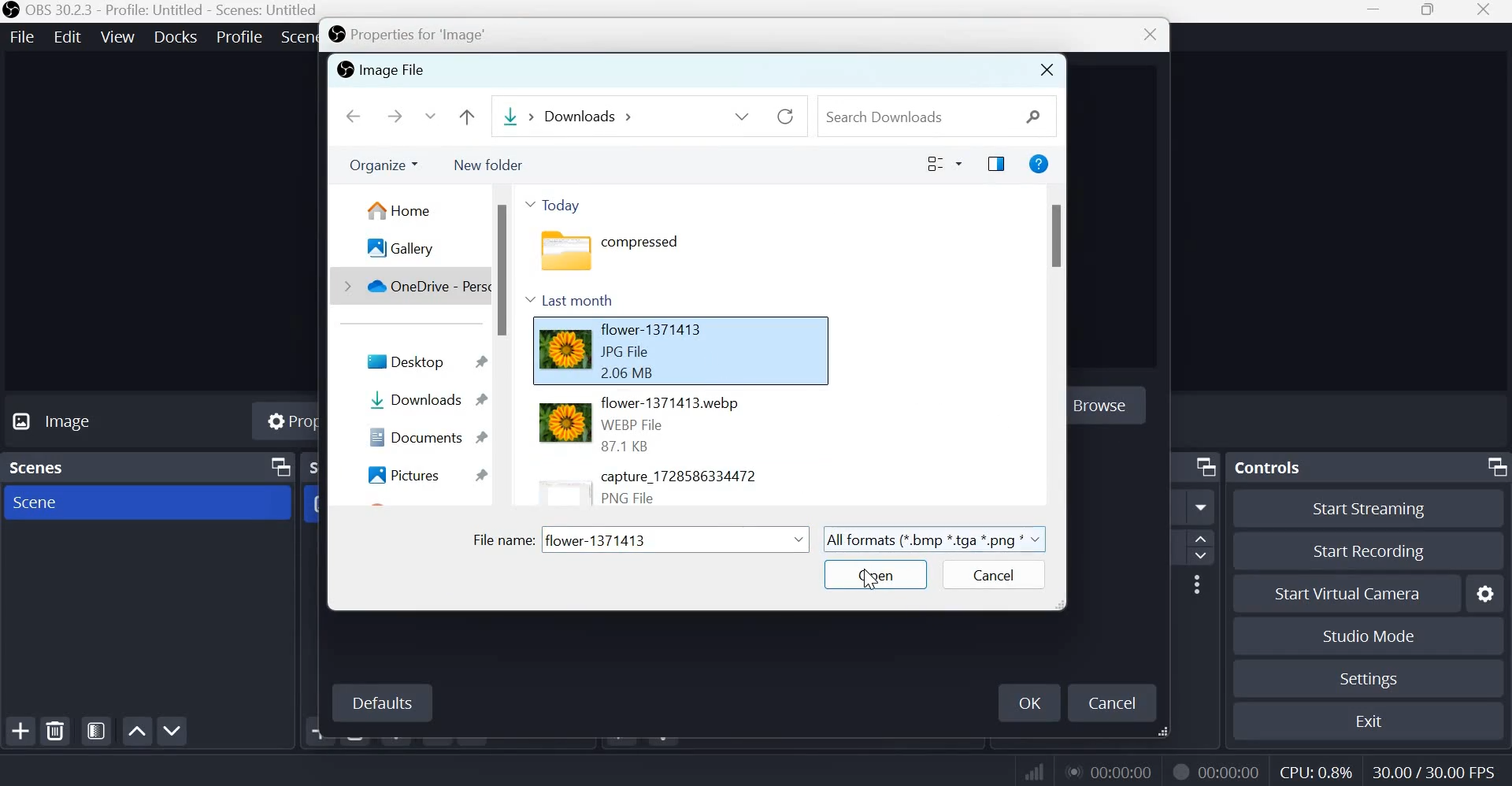  Describe the element at coordinates (1486, 591) in the screenshot. I see `Configure virtual camera` at that location.